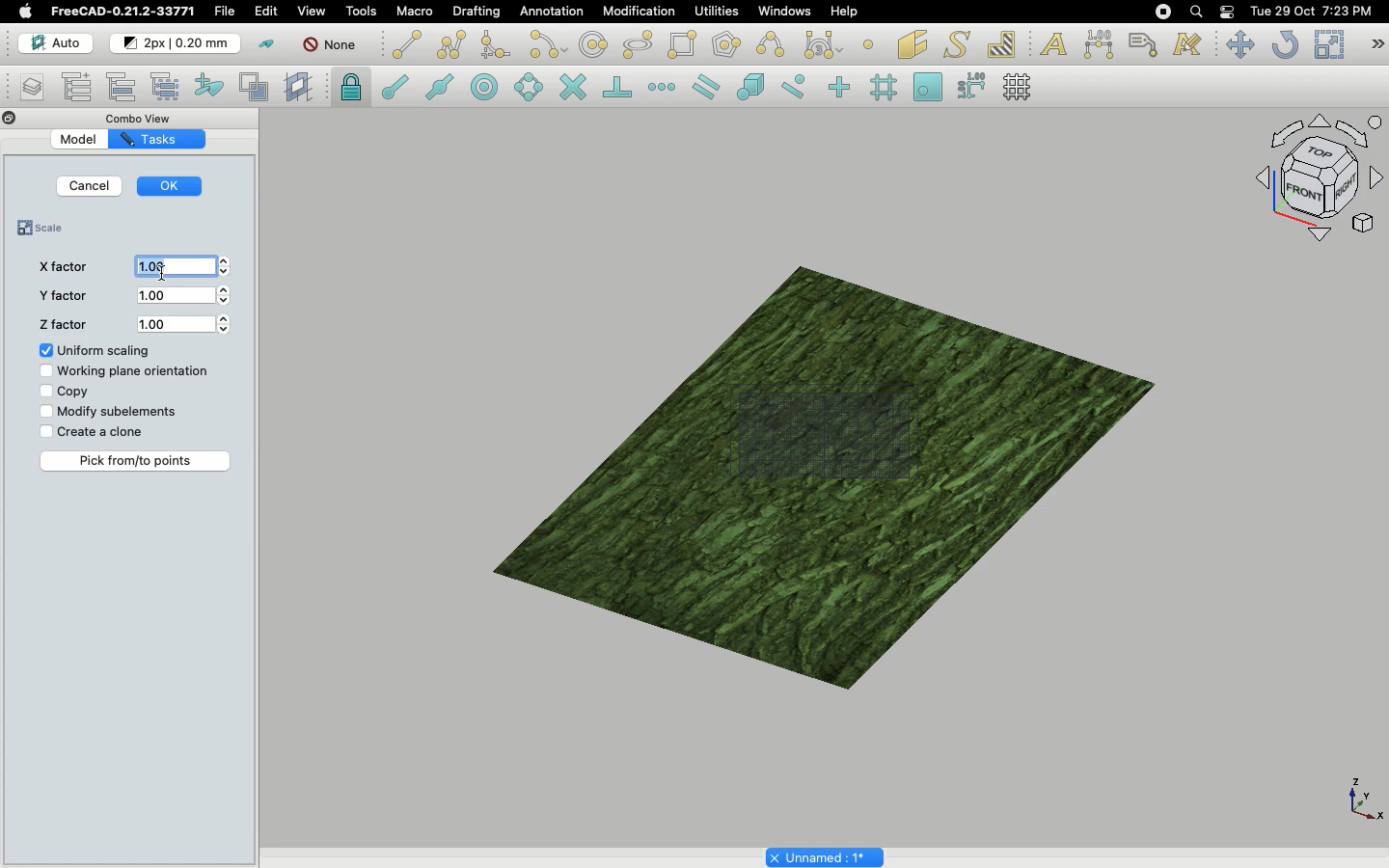 This screenshot has width=1389, height=868. Describe the element at coordinates (823, 459) in the screenshot. I see `Object` at that location.